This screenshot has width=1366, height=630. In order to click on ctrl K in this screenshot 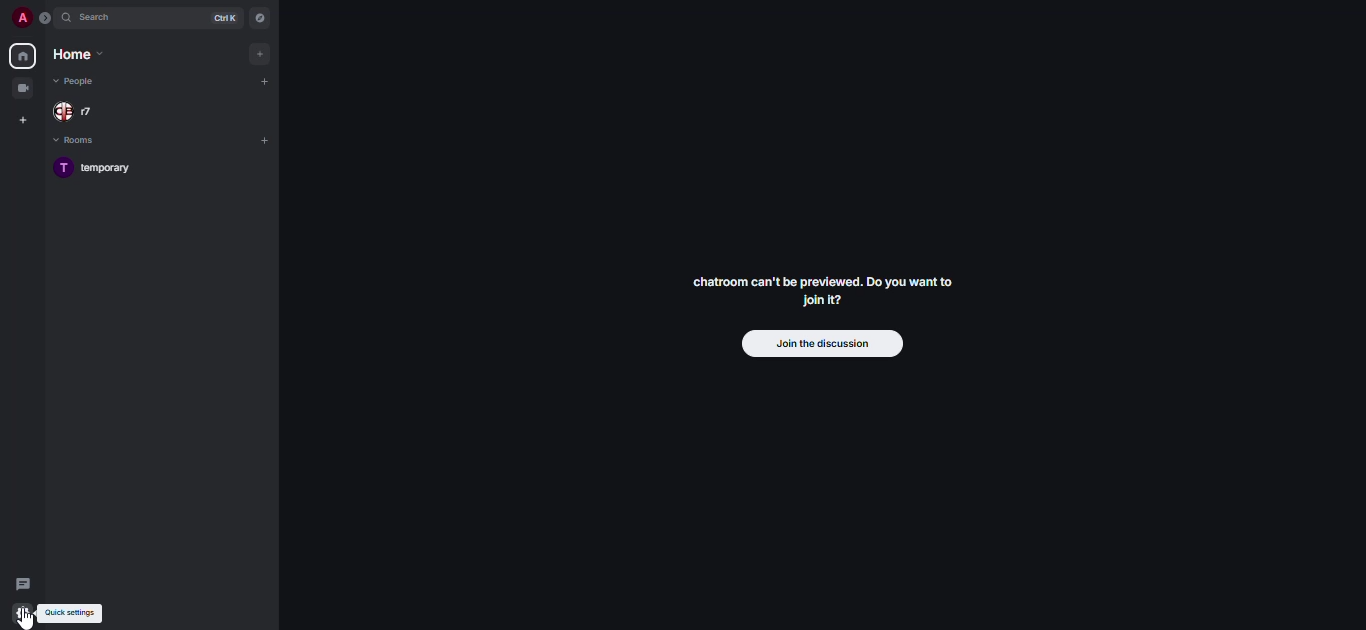, I will do `click(223, 18)`.